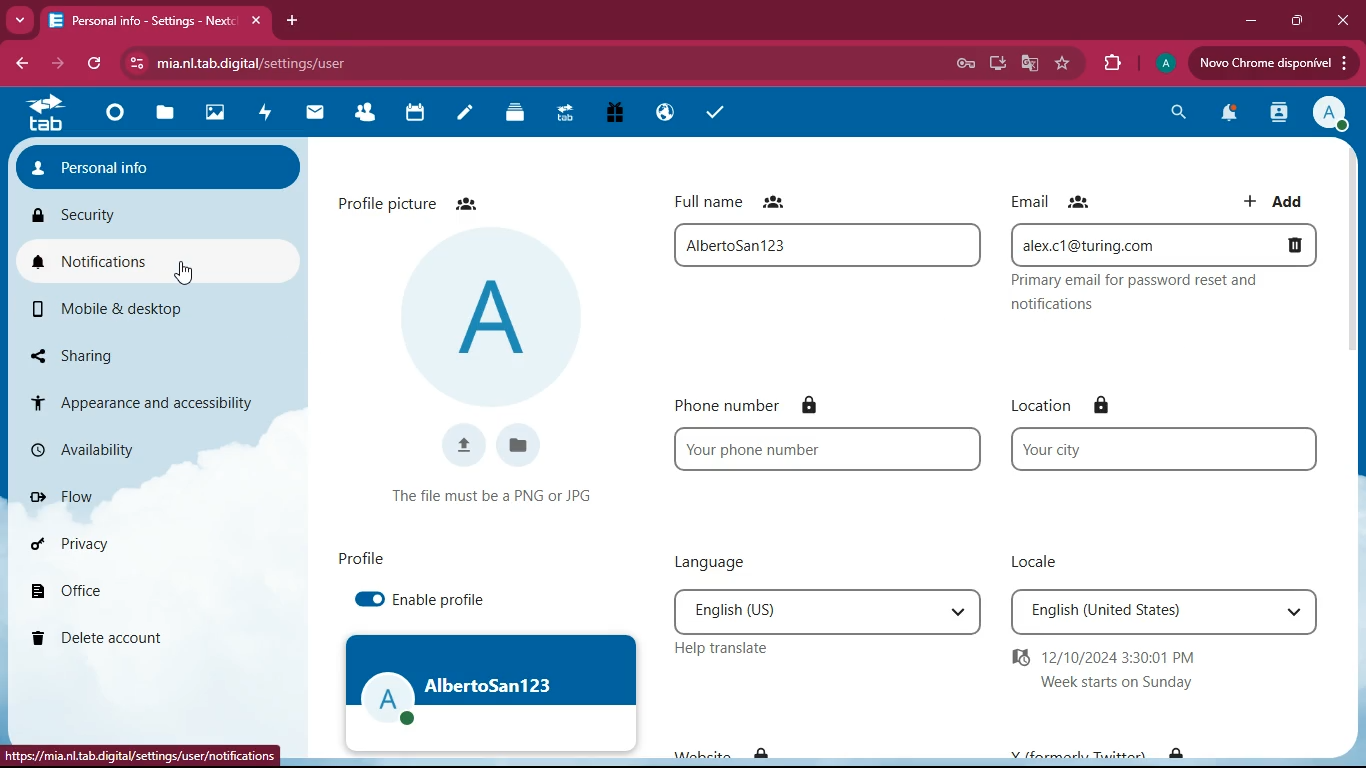  What do you see at coordinates (1030, 64) in the screenshot?
I see `google translate` at bounding box center [1030, 64].